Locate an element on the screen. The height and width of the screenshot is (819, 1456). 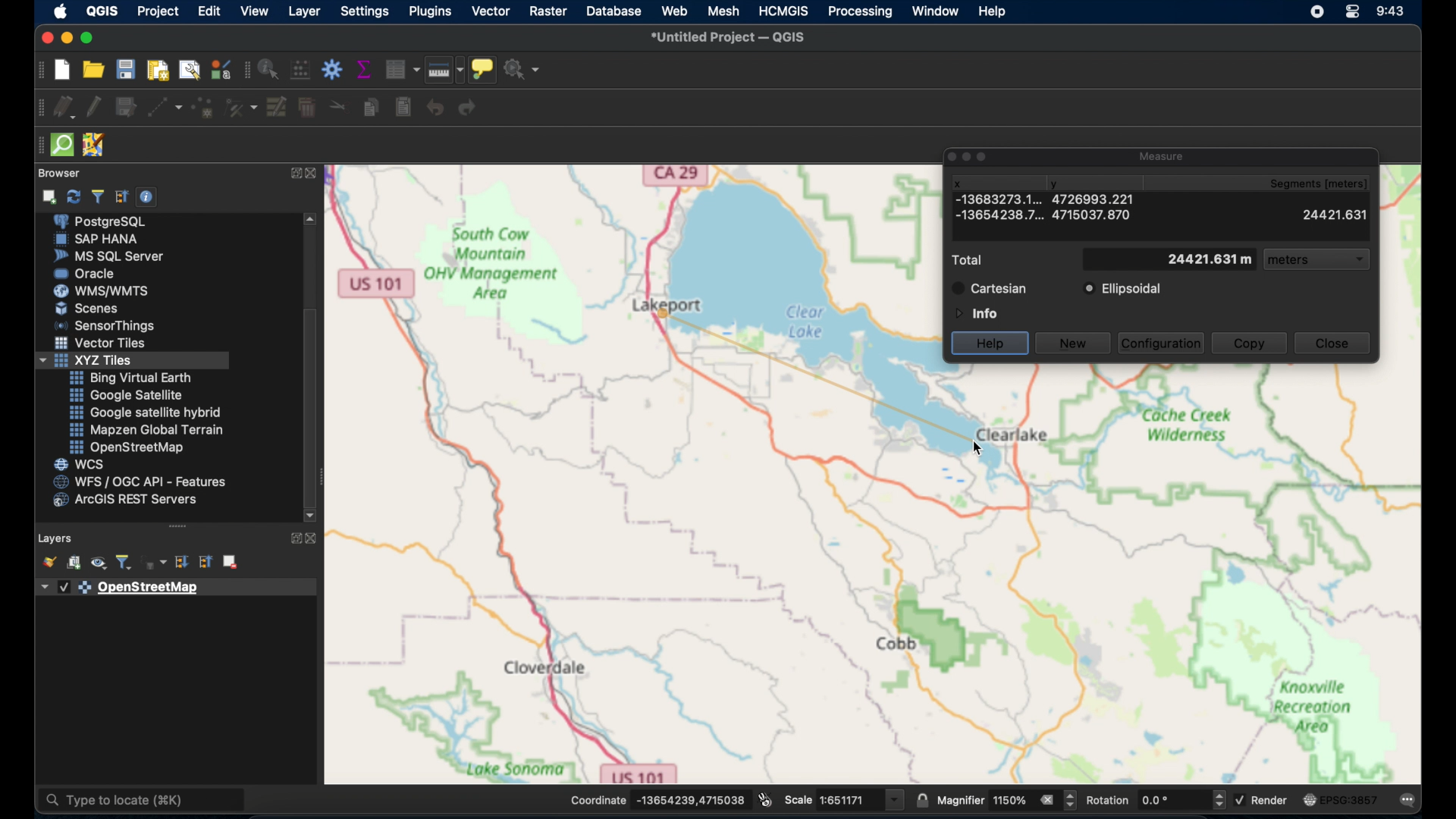
xyzzy tiles is located at coordinates (133, 361).